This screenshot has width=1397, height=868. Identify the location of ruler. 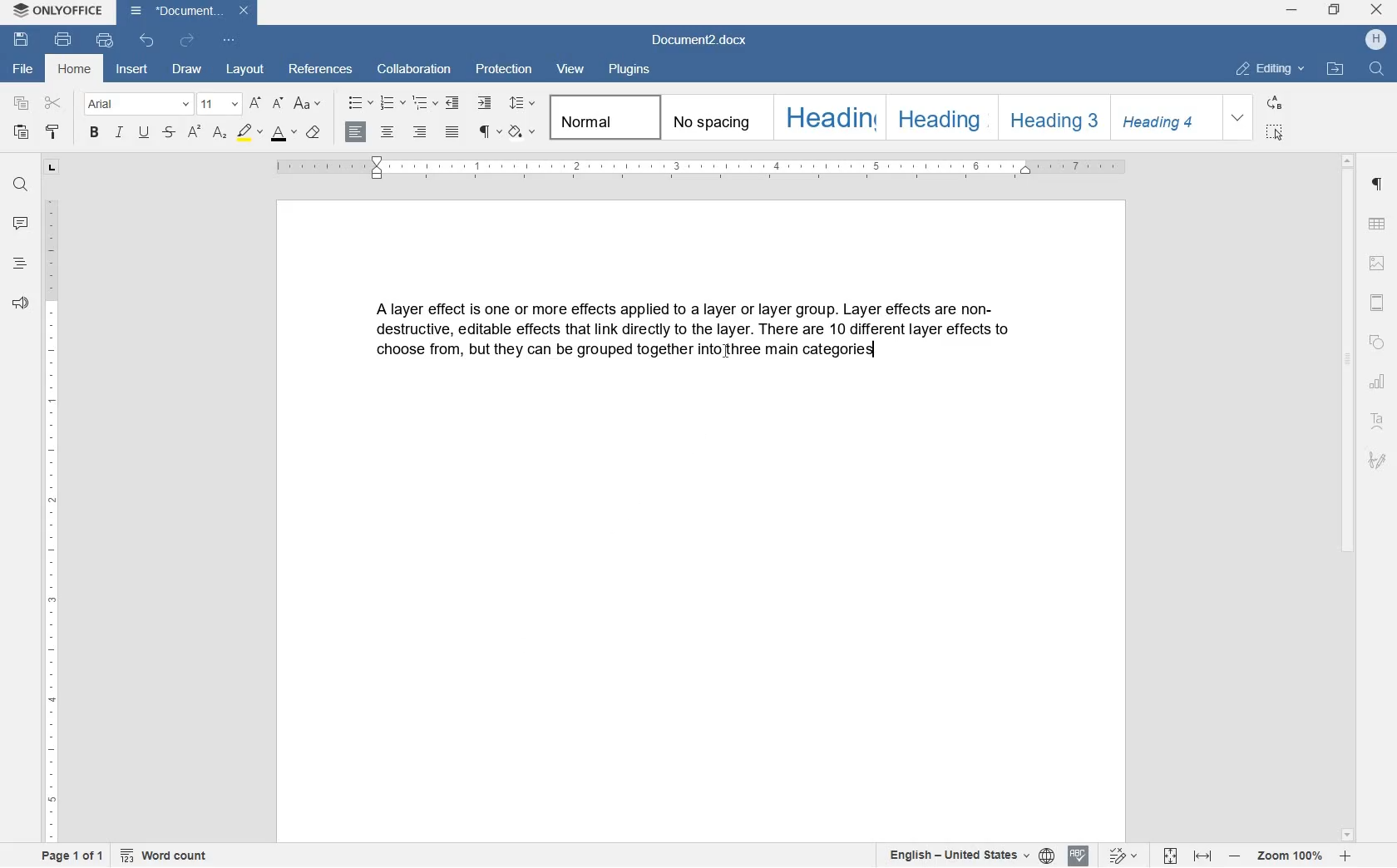
(52, 520).